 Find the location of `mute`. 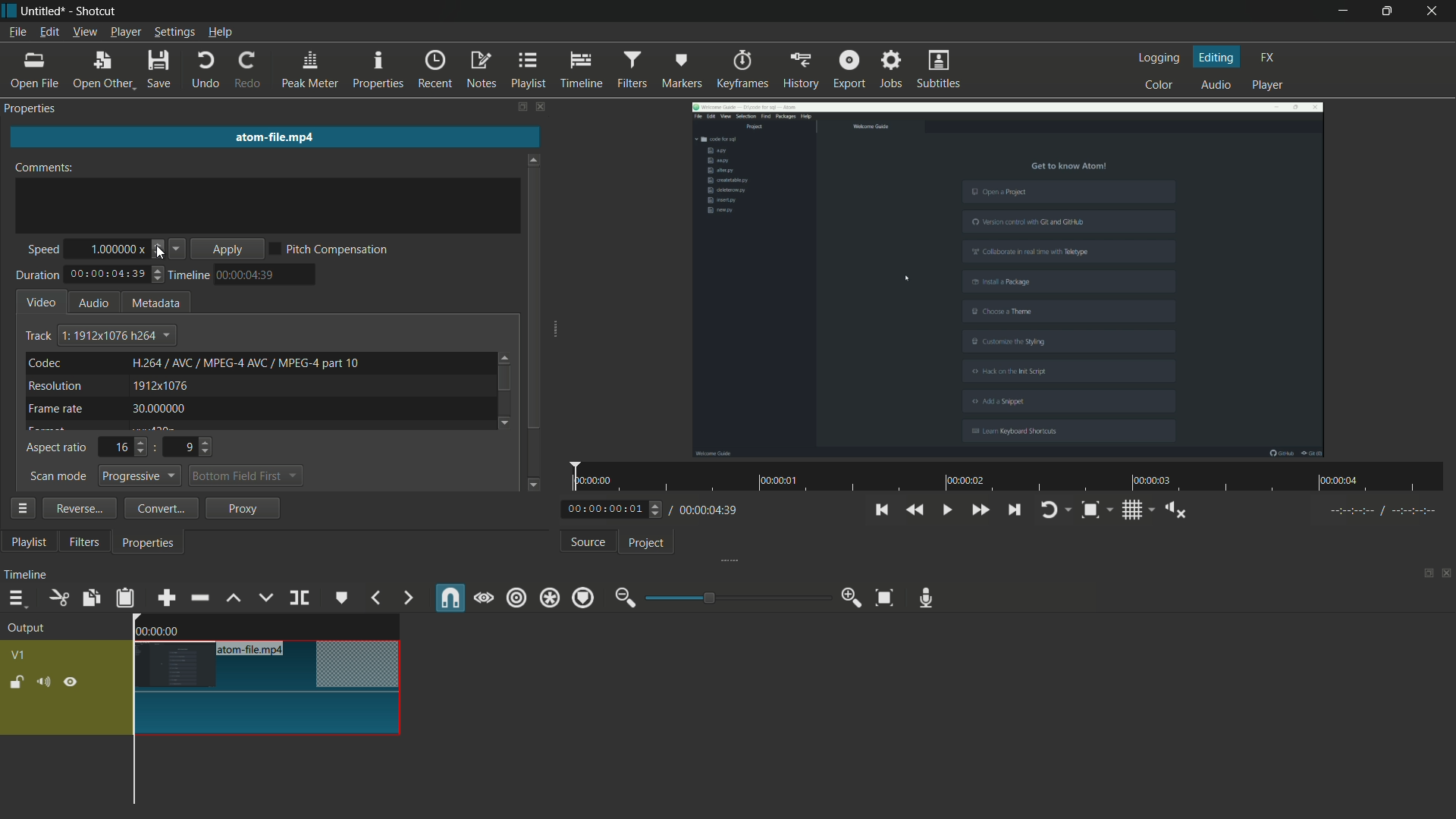

mute is located at coordinates (42, 682).